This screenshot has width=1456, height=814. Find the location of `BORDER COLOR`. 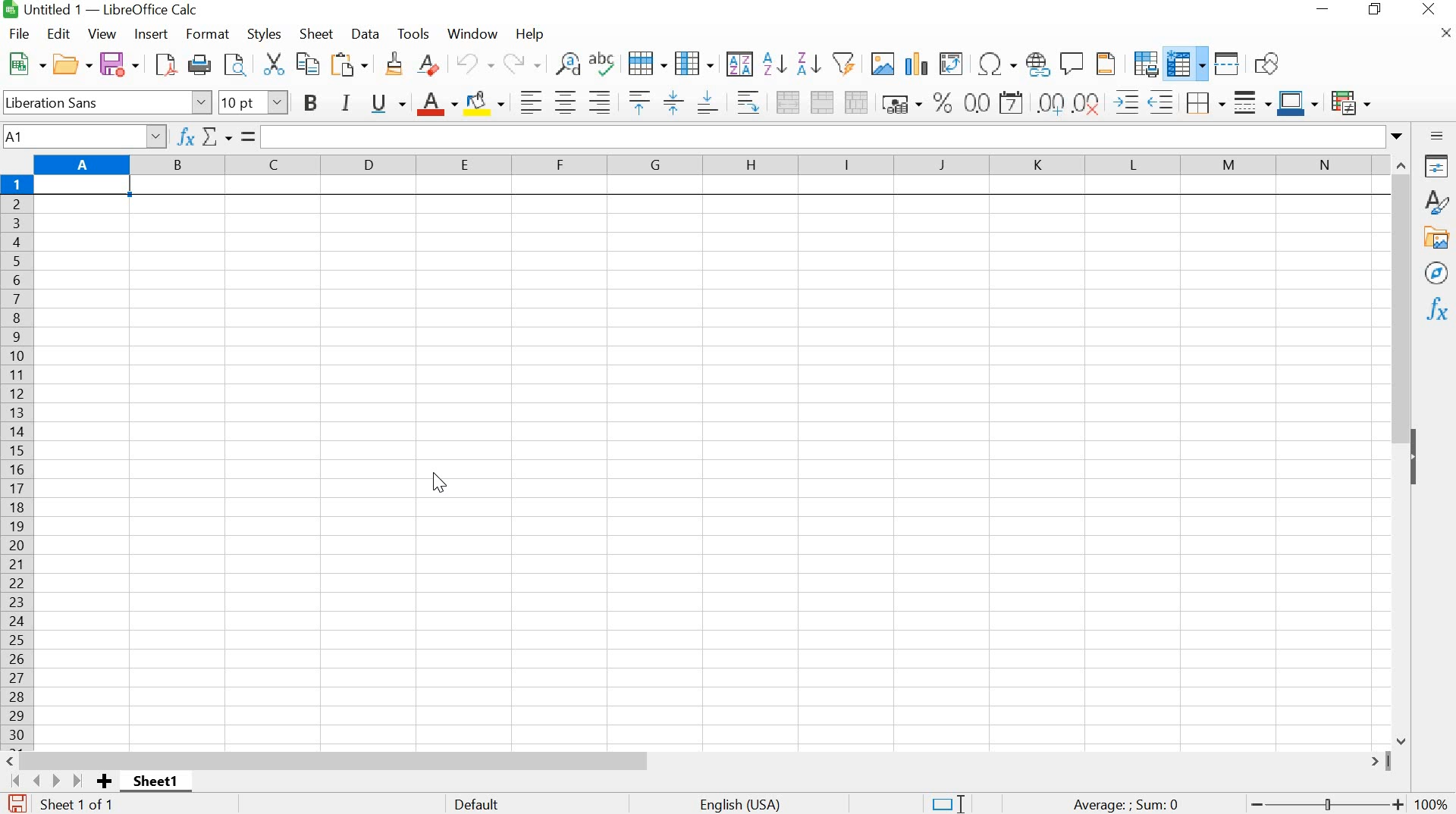

BORDER COLOR is located at coordinates (1297, 101).